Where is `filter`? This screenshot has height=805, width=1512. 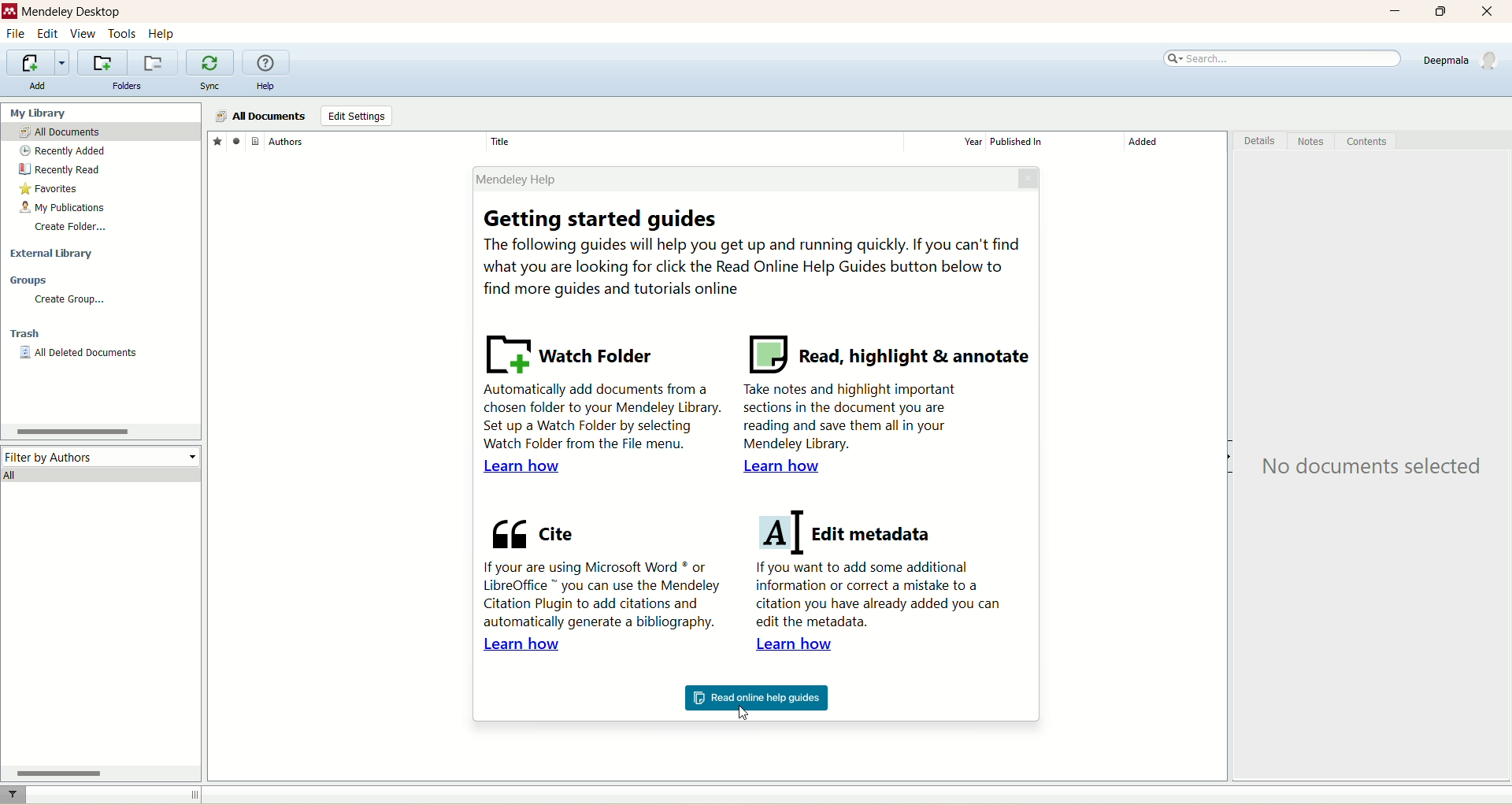
filter is located at coordinates (13, 795).